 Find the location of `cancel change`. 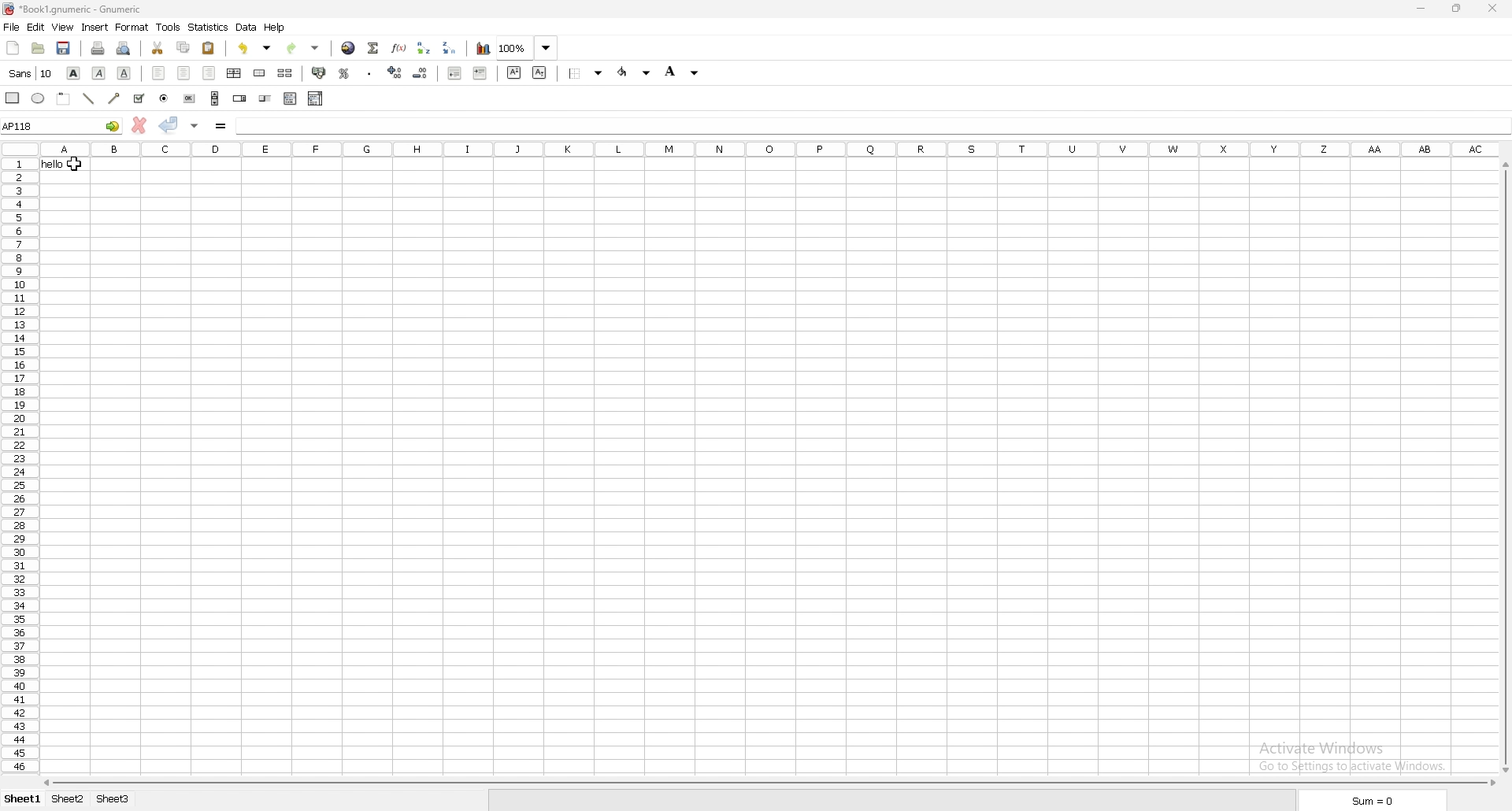

cancel change is located at coordinates (141, 124).